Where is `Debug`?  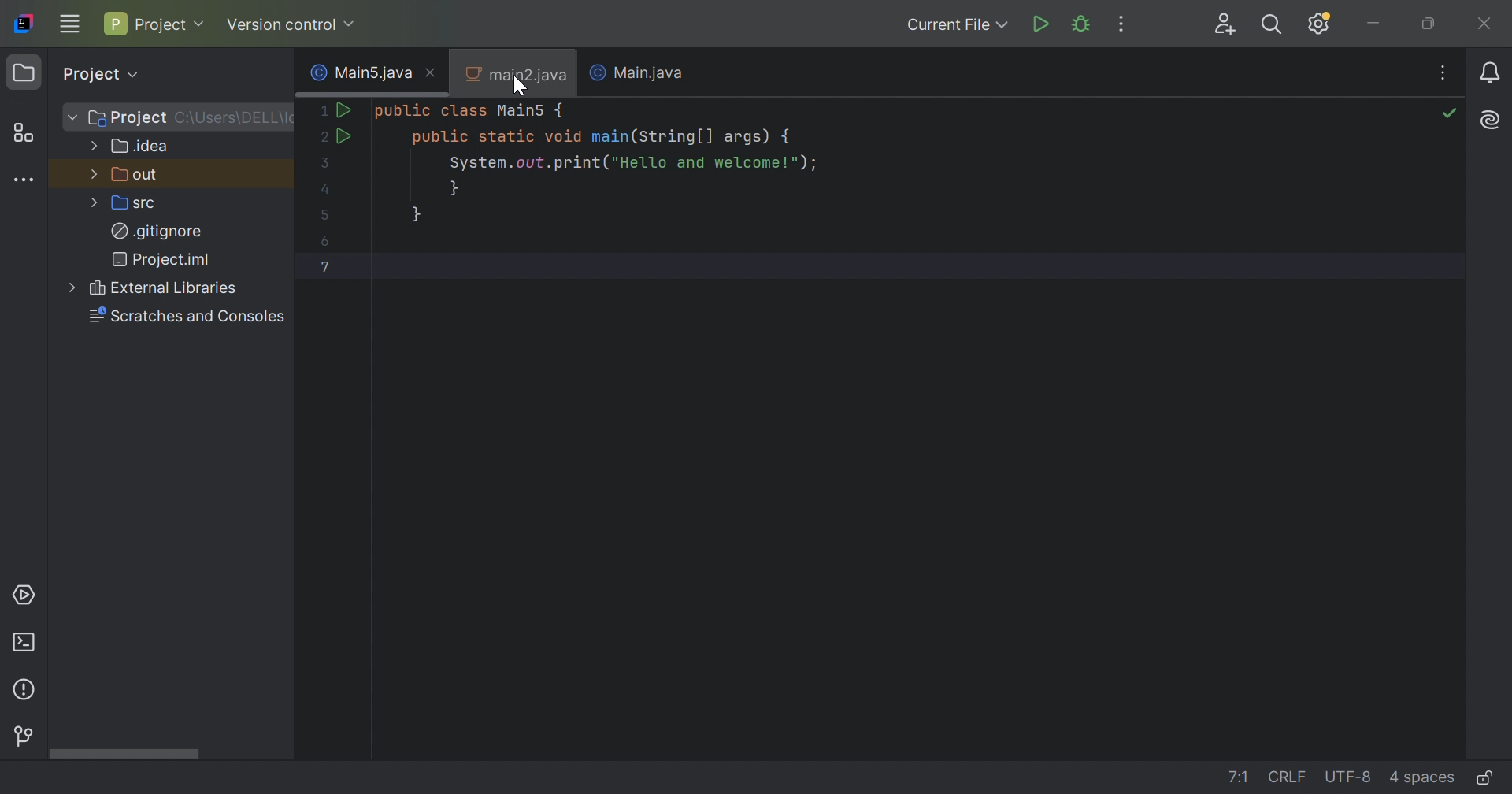
Debug is located at coordinates (1080, 25).